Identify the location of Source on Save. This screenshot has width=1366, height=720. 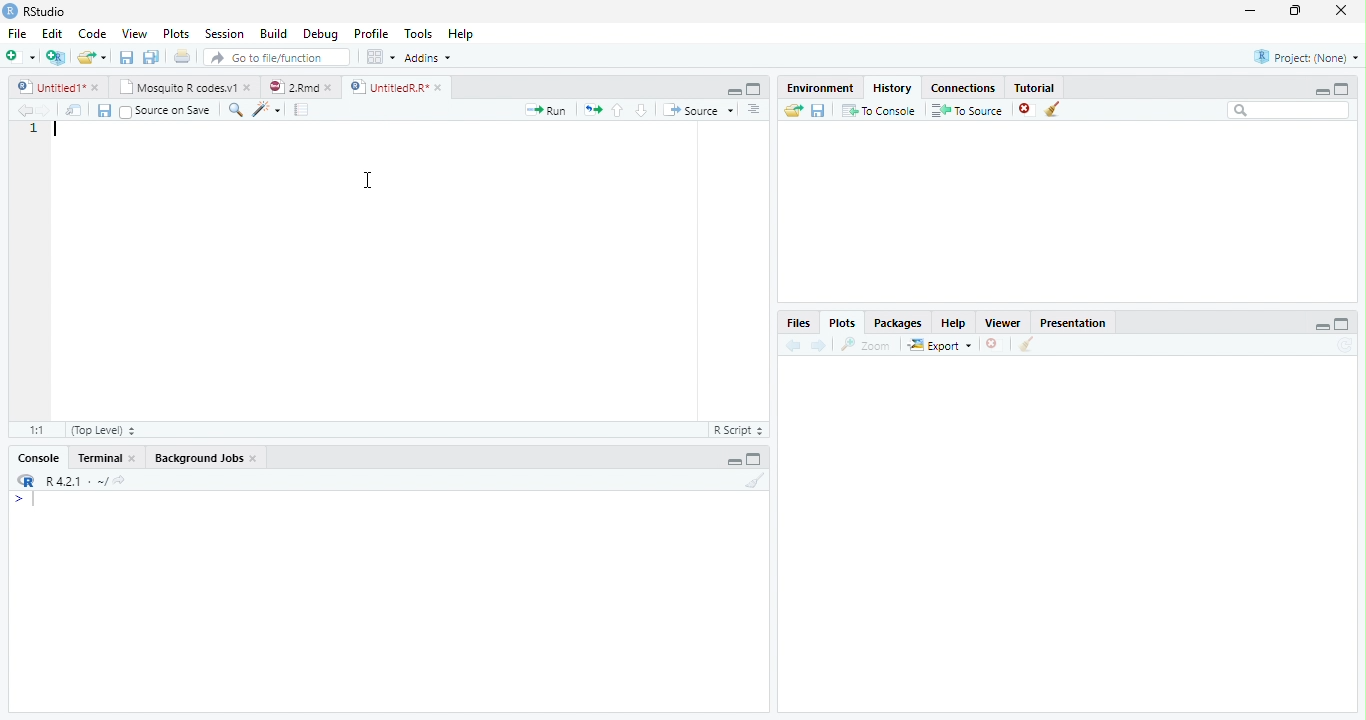
(163, 111).